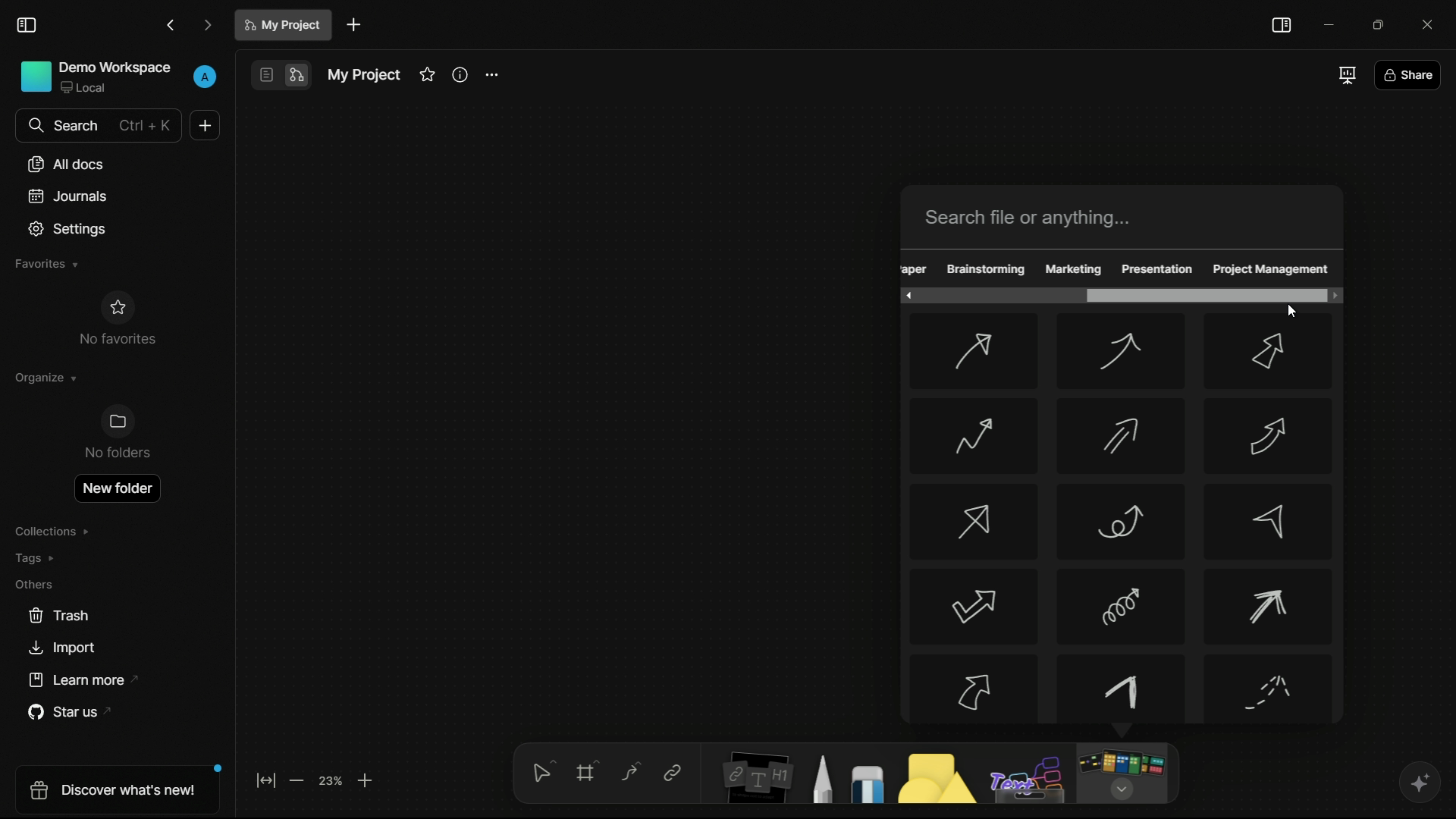 The height and width of the screenshot is (819, 1456). I want to click on scroll left, so click(905, 296).